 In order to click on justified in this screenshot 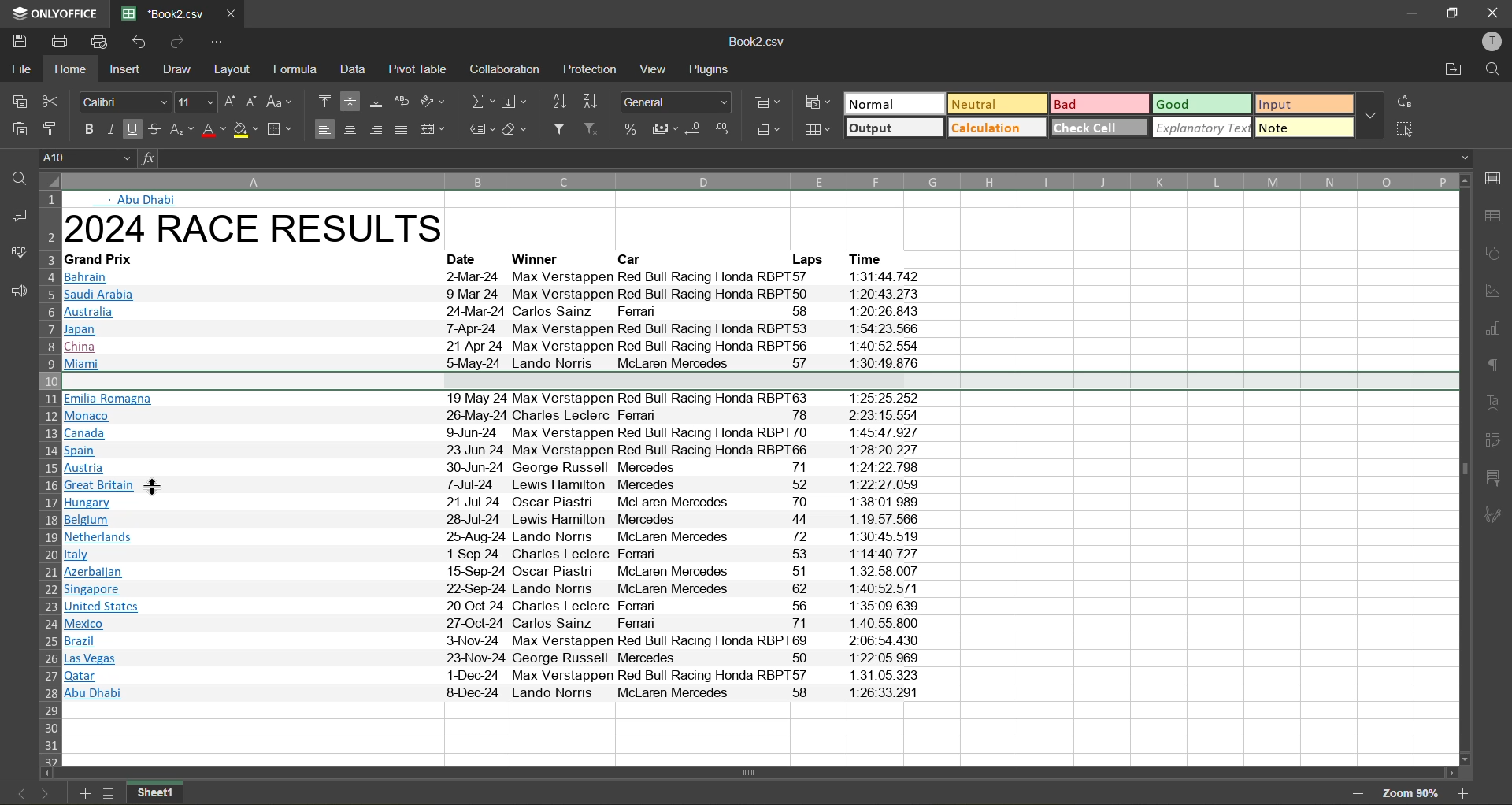, I will do `click(402, 129)`.